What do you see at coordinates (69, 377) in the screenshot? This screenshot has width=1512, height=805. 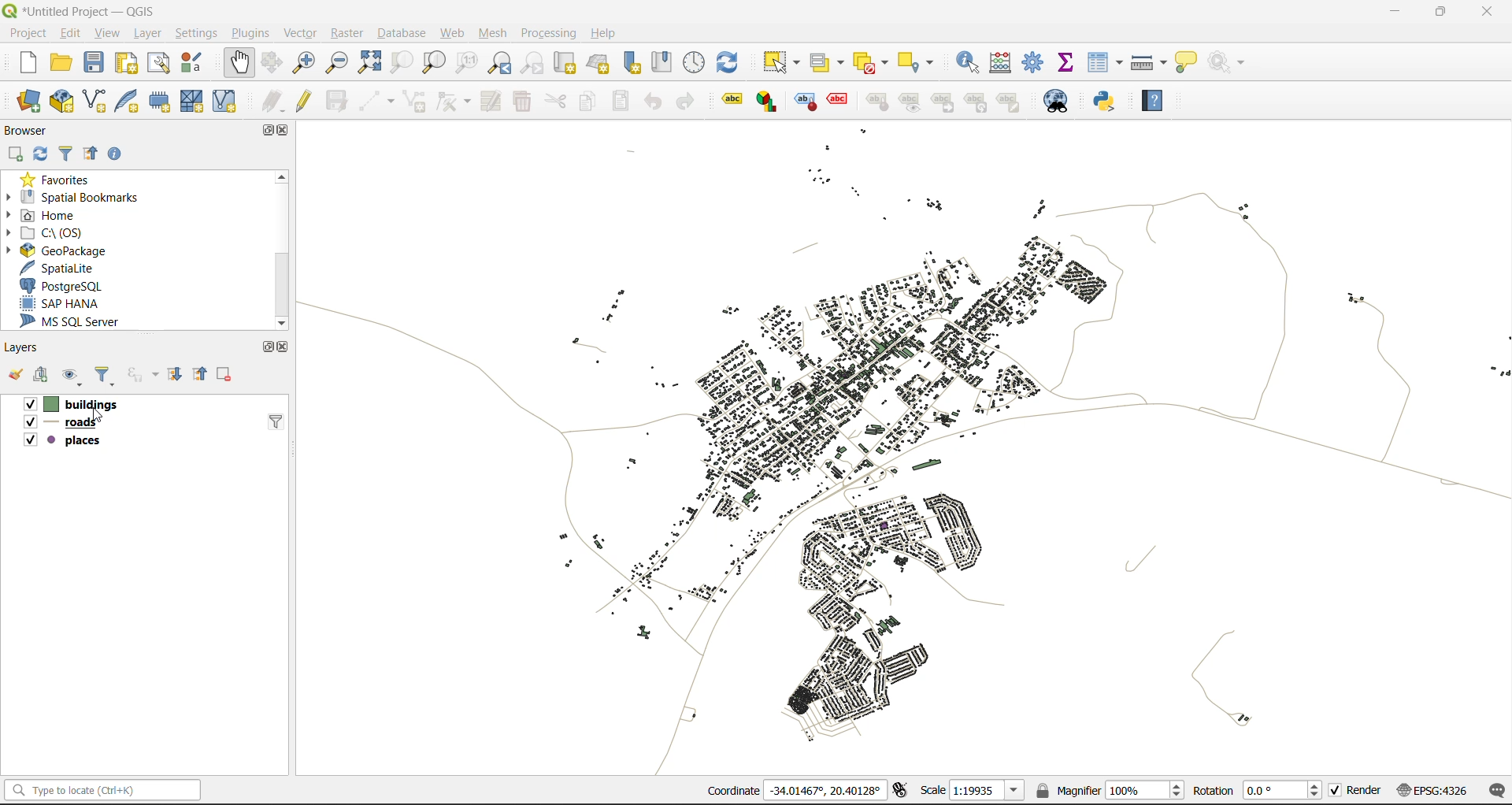 I see `manage map` at bounding box center [69, 377].